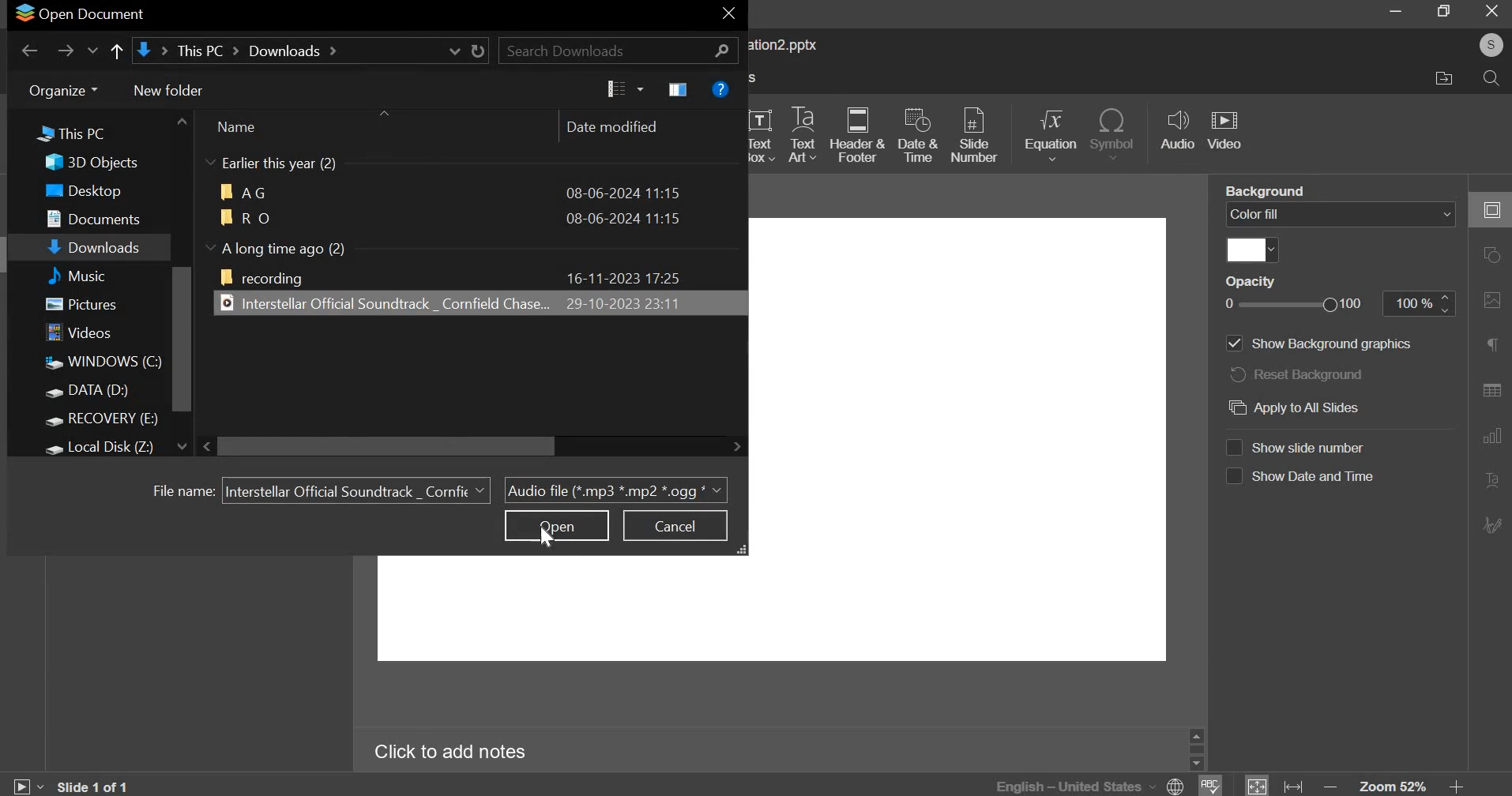 The image size is (1512, 796). I want to click on file location, so click(312, 51).